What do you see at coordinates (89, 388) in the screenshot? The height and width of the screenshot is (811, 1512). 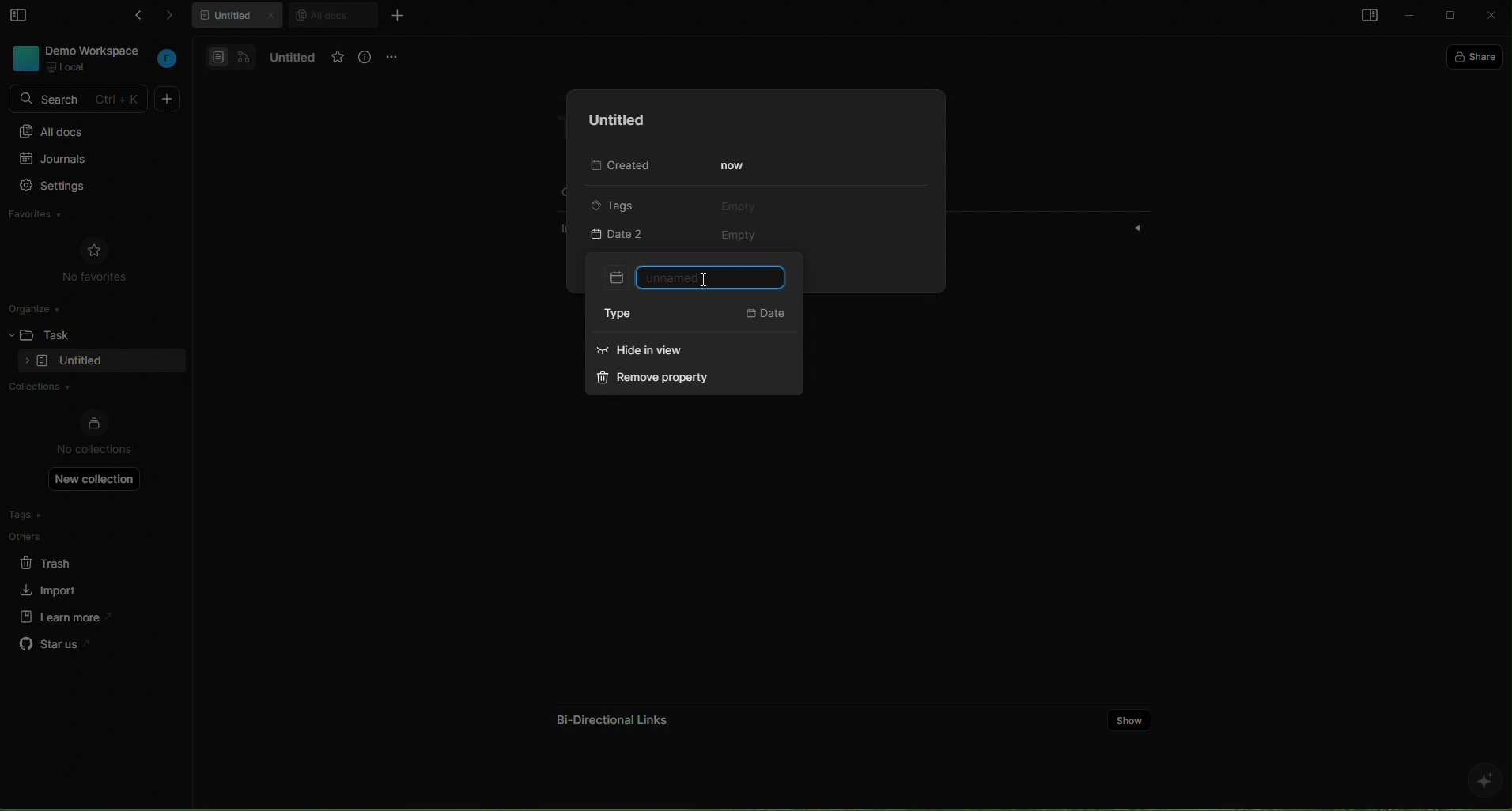 I see `collections` at bounding box center [89, 388].